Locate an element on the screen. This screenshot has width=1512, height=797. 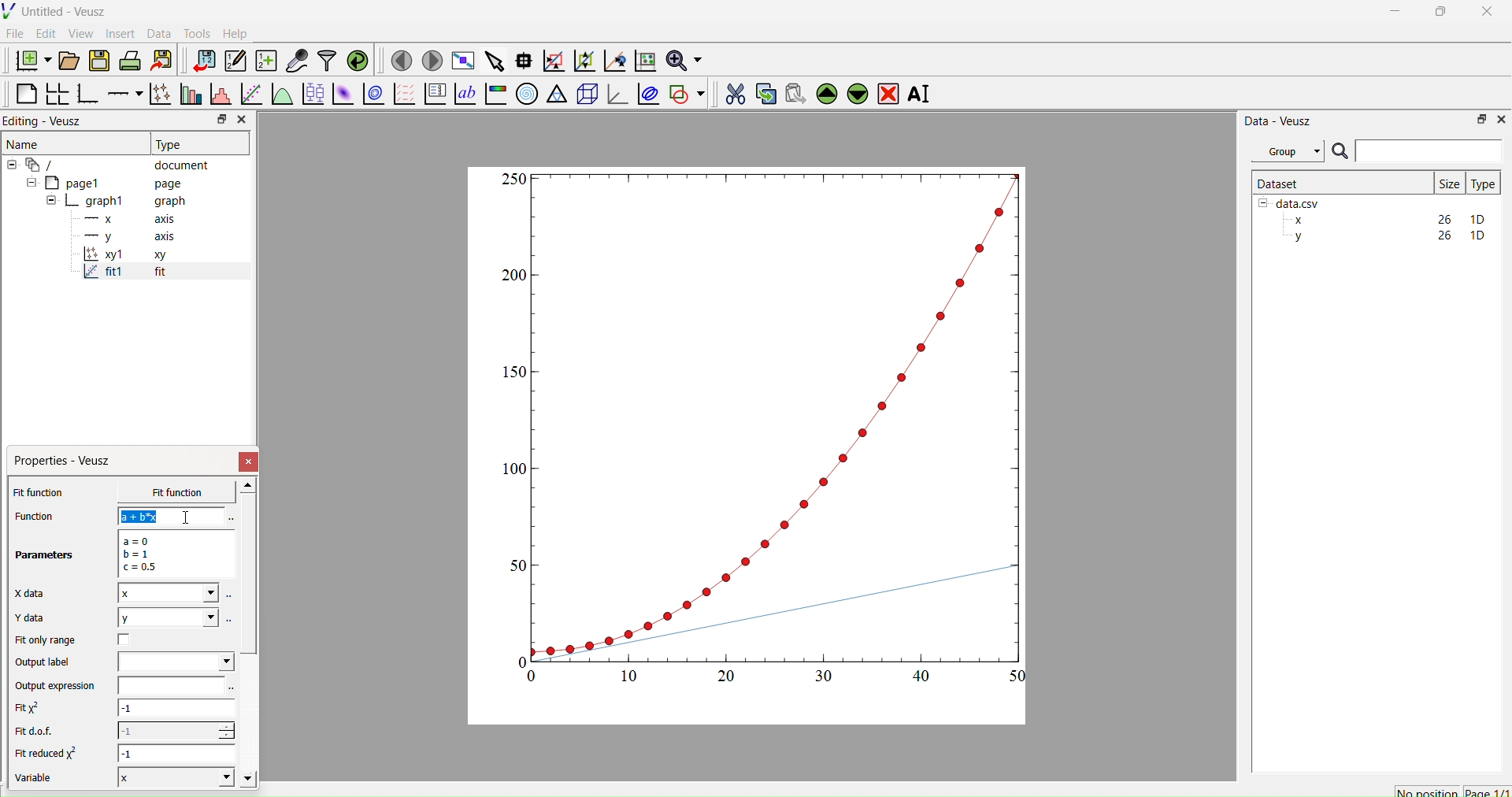
Select items is located at coordinates (493, 61).